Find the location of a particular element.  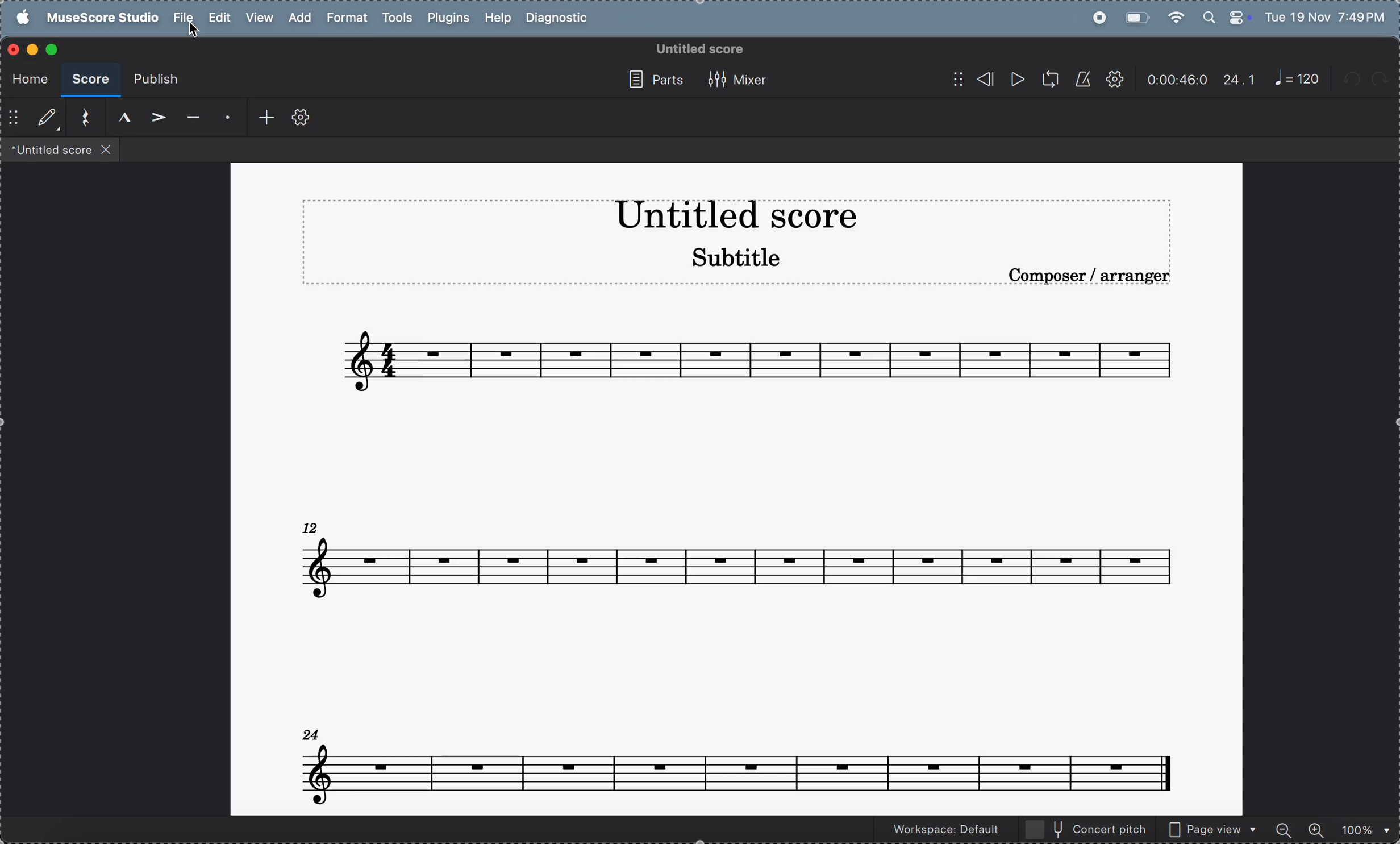

timeframe is located at coordinates (1177, 79).